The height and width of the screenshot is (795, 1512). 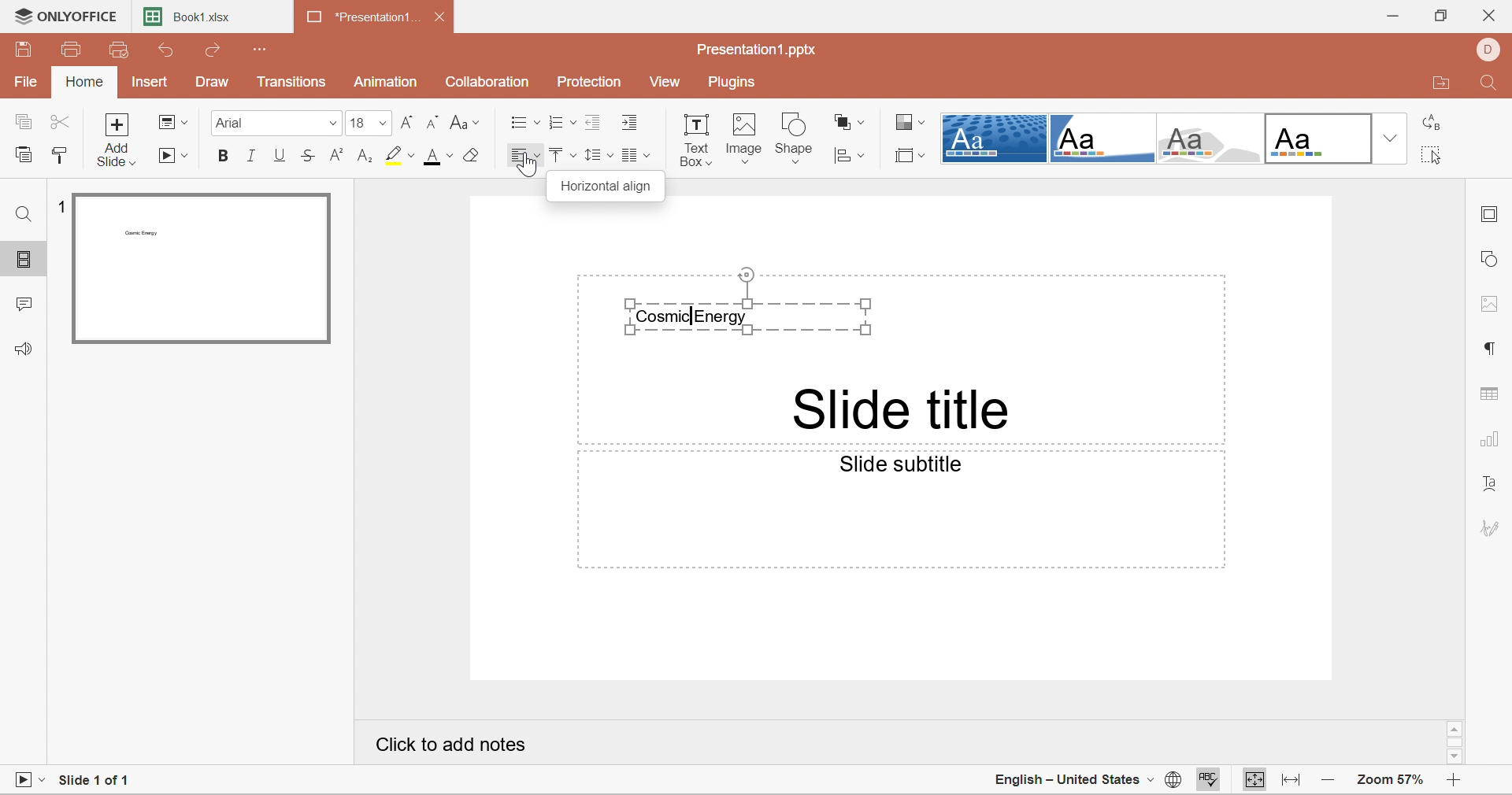 I want to click on Official, so click(x=1321, y=139).